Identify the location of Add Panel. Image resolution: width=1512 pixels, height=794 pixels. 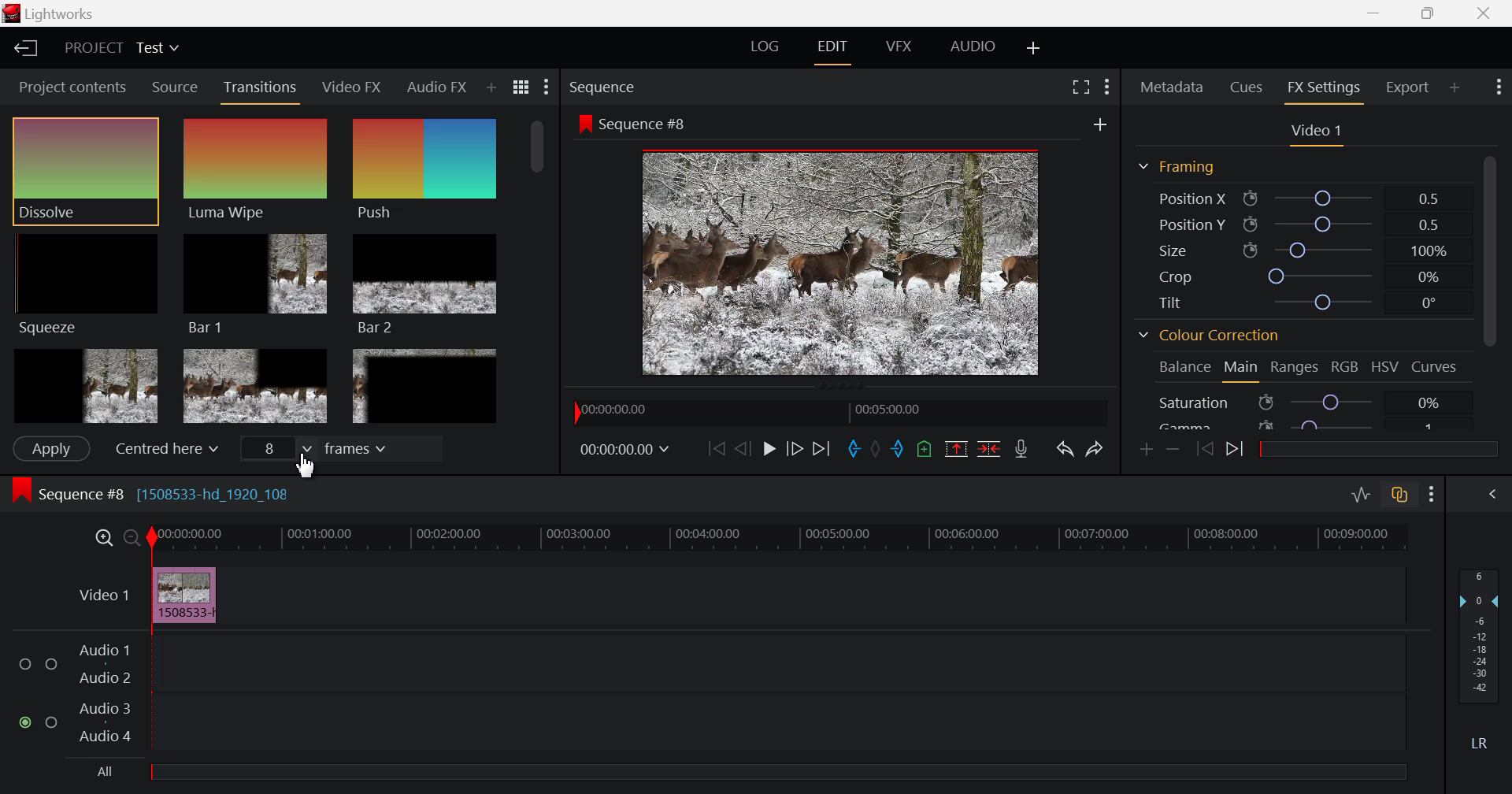
(491, 84).